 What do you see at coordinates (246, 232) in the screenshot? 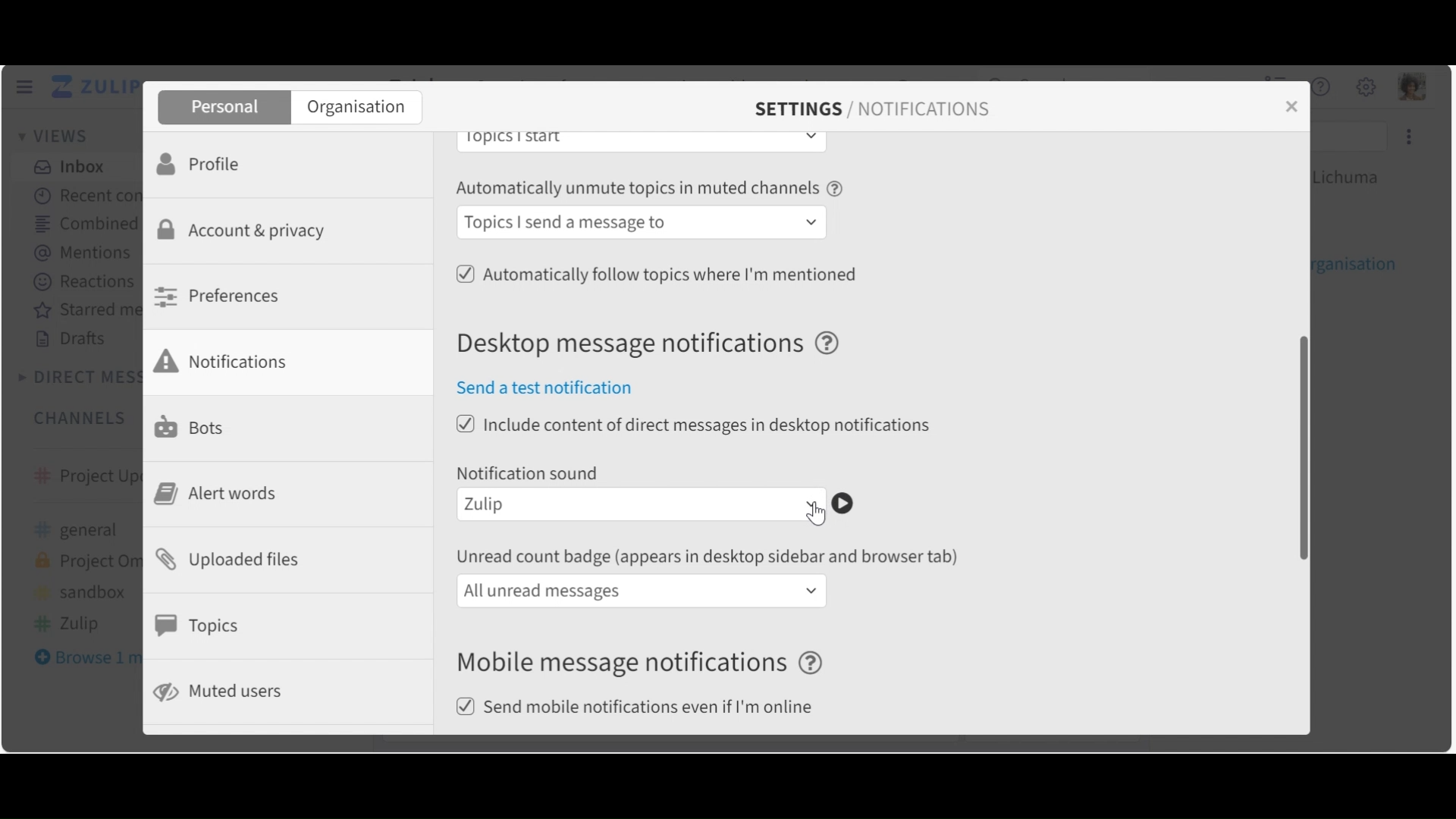
I see `Account & Privacy` at bounding box center [246, 232].